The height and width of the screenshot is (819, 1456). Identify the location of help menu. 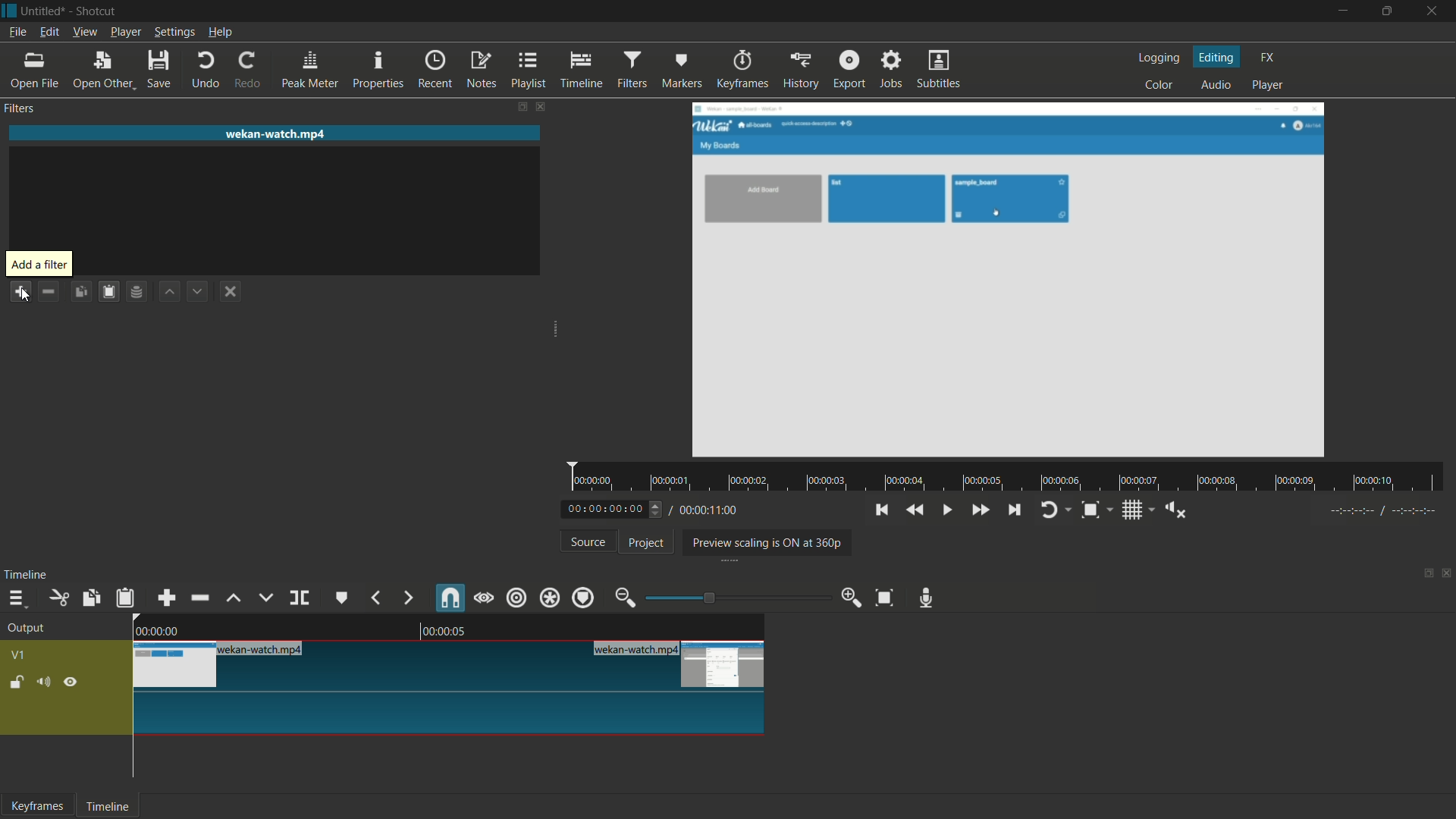
(221, 33).